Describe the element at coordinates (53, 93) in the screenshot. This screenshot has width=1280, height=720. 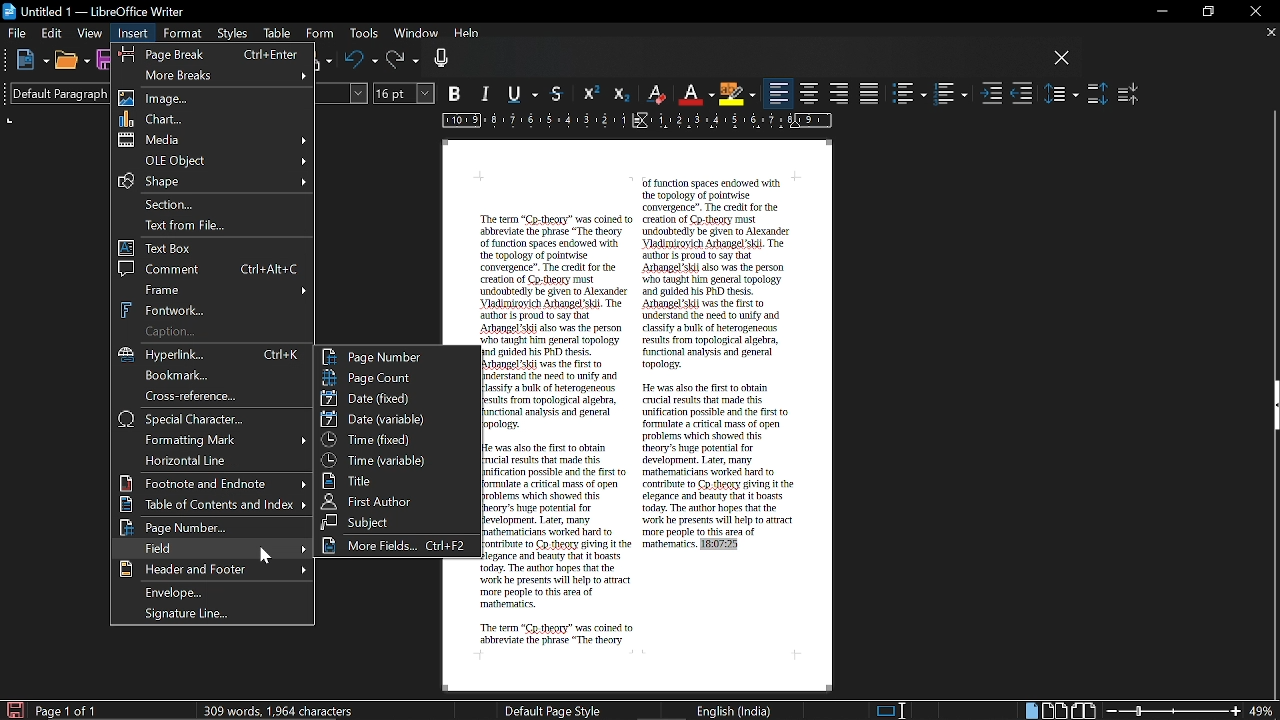
I see `Paragraph style` at that location.